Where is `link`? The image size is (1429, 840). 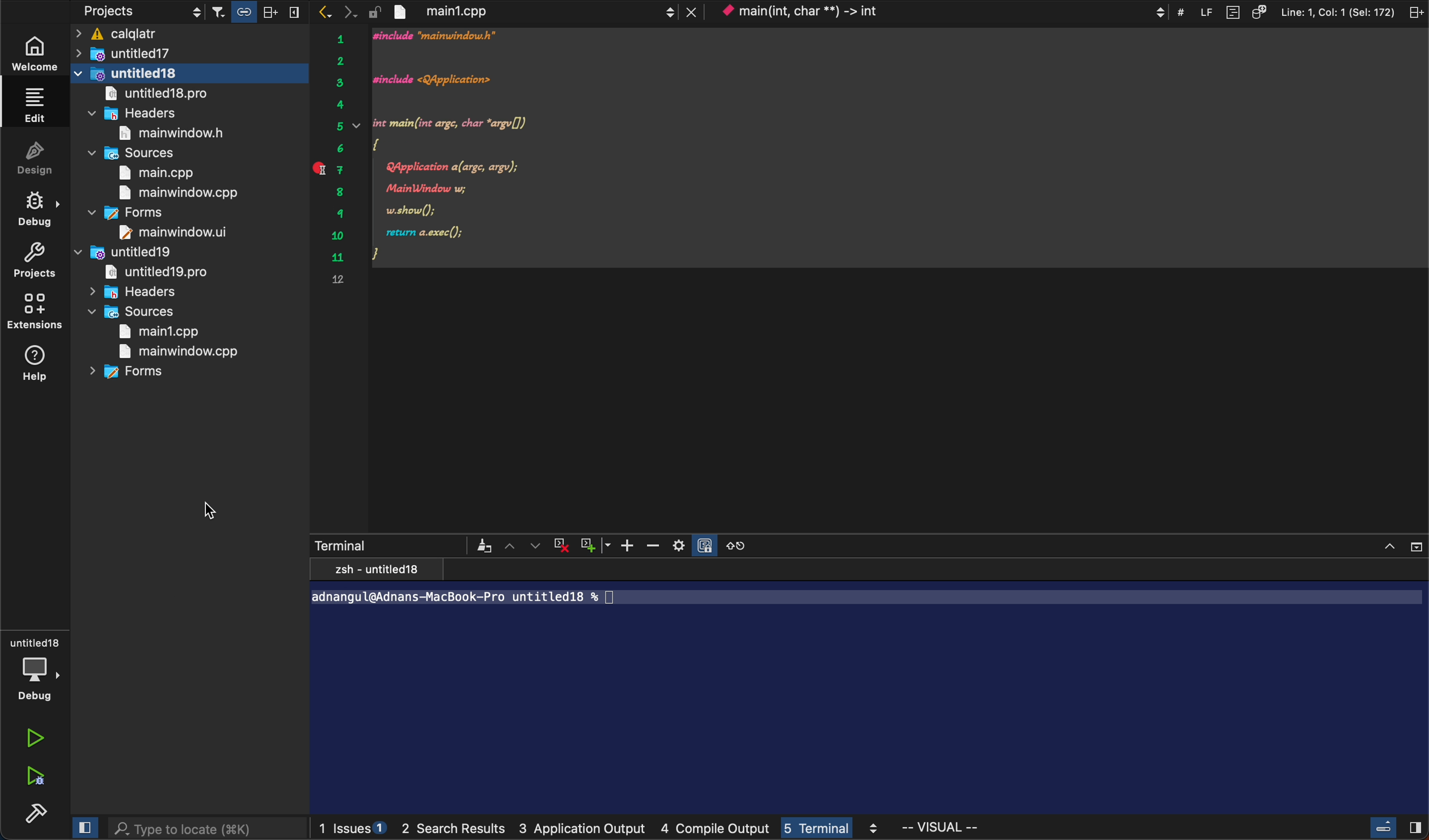
link is located at coordinates (242, 11).